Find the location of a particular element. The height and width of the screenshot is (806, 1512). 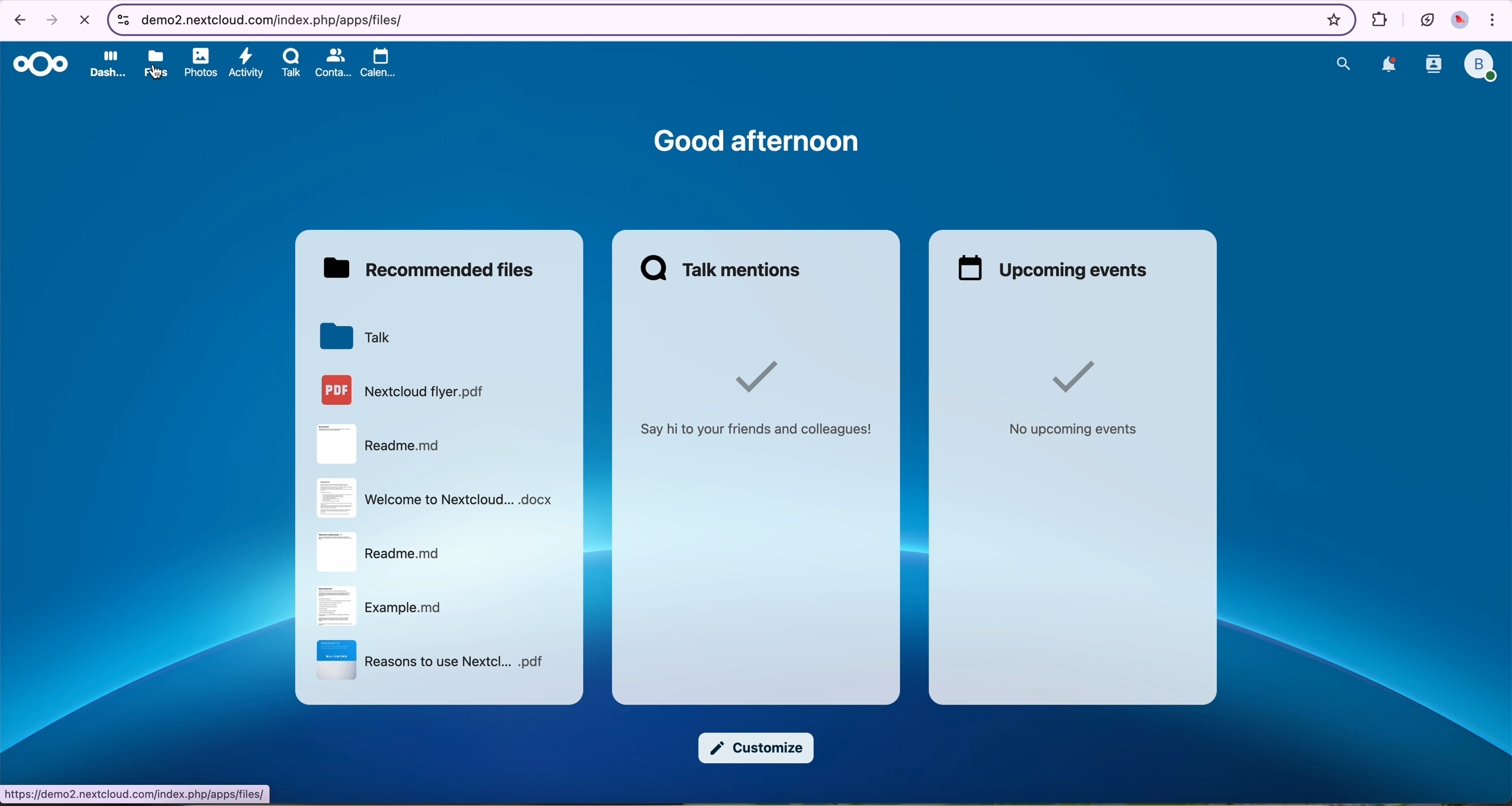

search is located at coordinates (1342, 63).